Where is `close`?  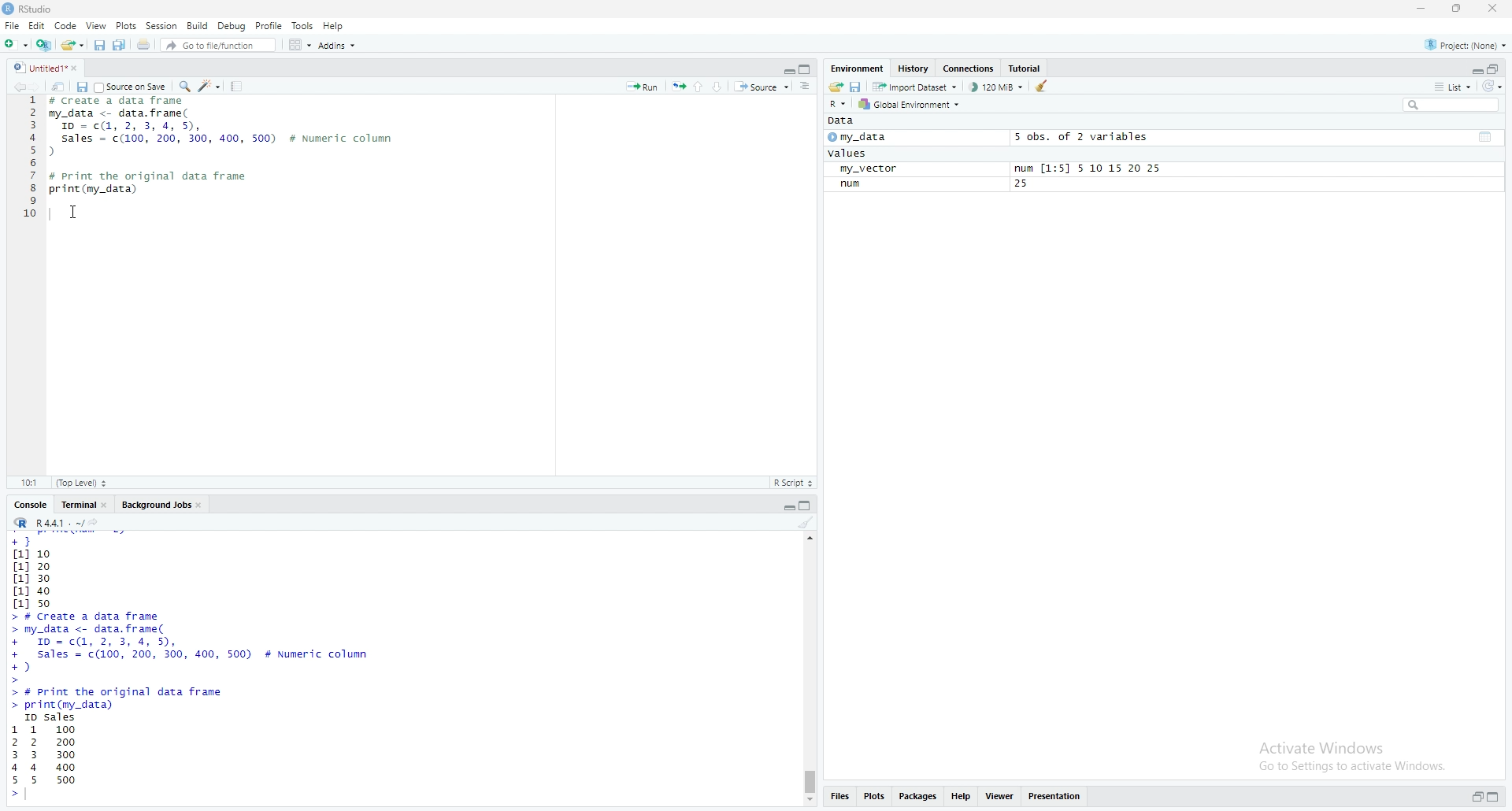
close is located at coordinates (109, 505).